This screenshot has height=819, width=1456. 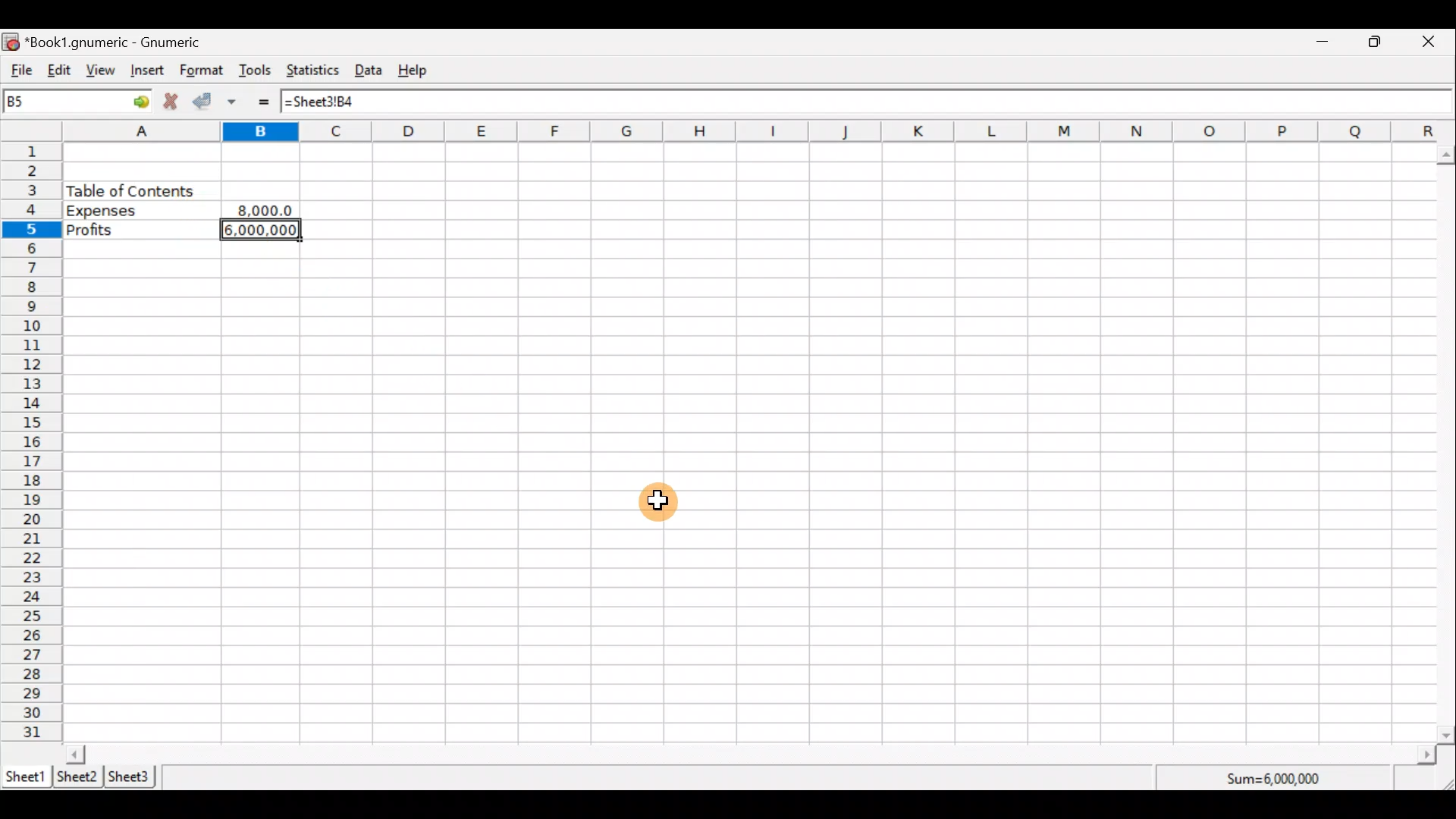 What do you see at coordinates (19, 71) in the screenshot?
I see `File` at bounding box center [19, 71].